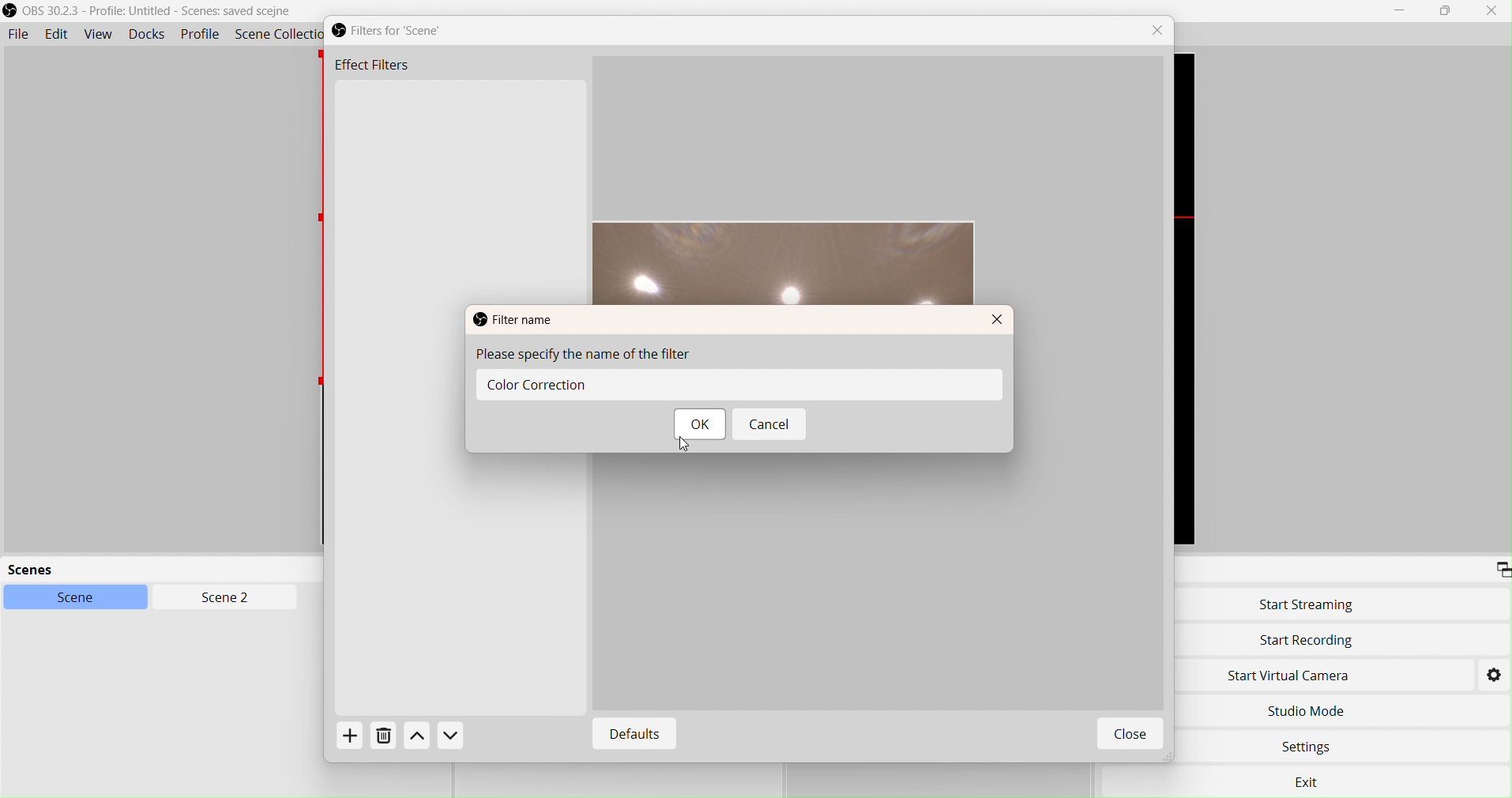 This screenshot has width=1512, height=798. What do you see at coordinates (384, 740) in the screenshot?
I see `Delete` at bounding box center [384, 740].